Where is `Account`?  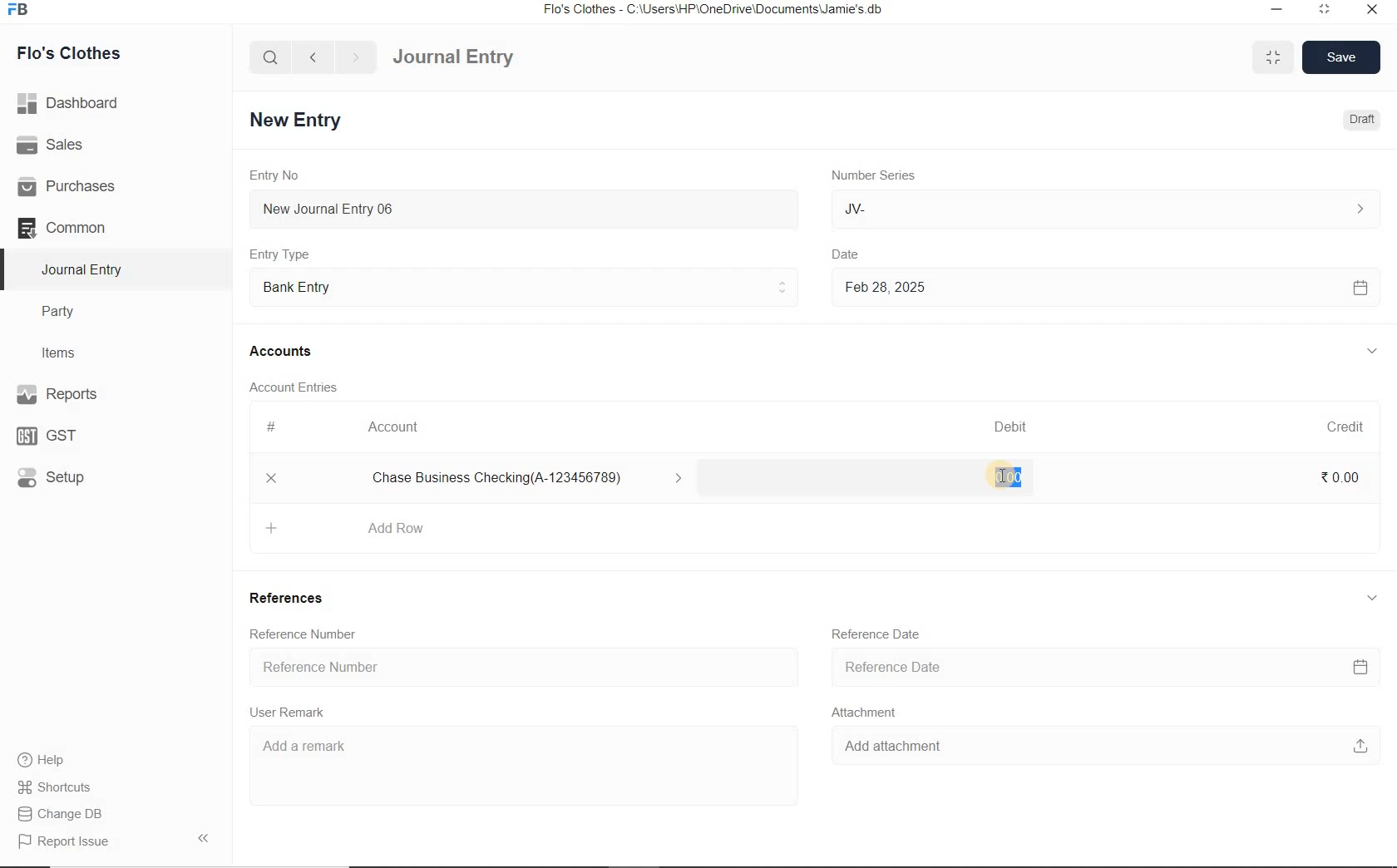 Account is located at coordinates (398, 427).